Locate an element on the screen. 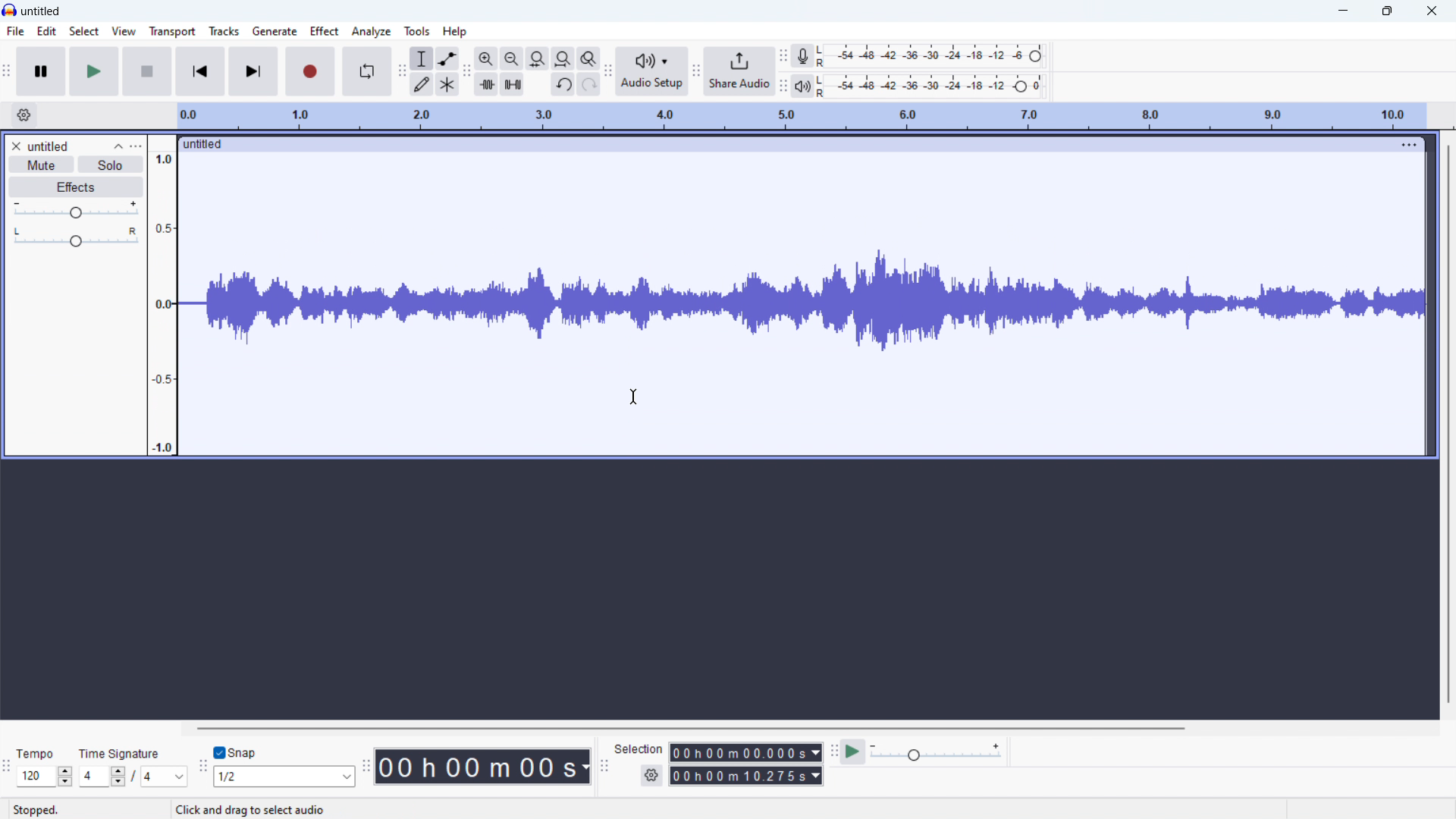 The width and height of the screenshot is (1456, 819). playback meter toolbar is located at coordinates (783, 86).